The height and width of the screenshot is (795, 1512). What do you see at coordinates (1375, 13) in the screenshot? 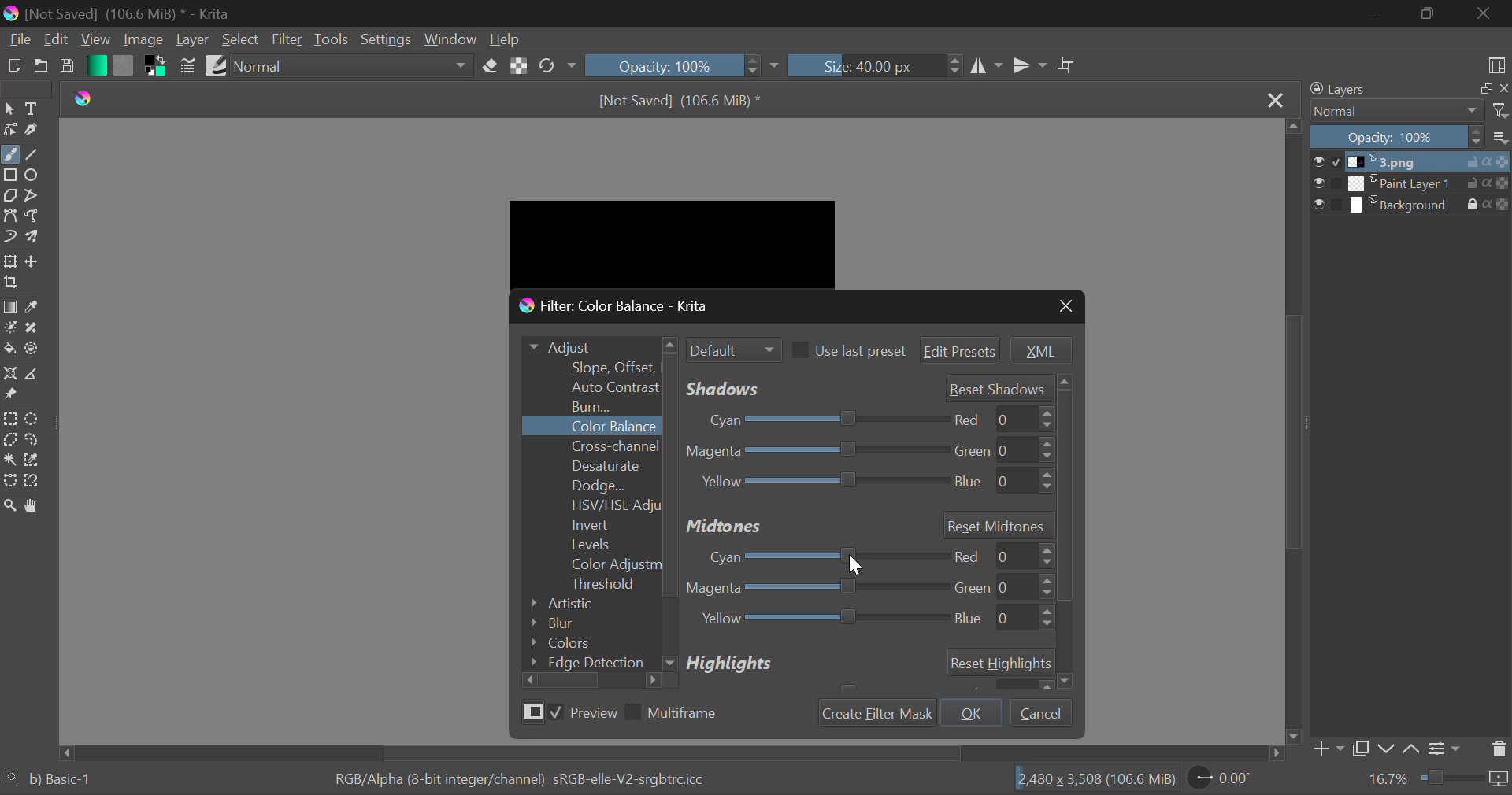
I see `Restore Down` at bounding box center [1375, 13].